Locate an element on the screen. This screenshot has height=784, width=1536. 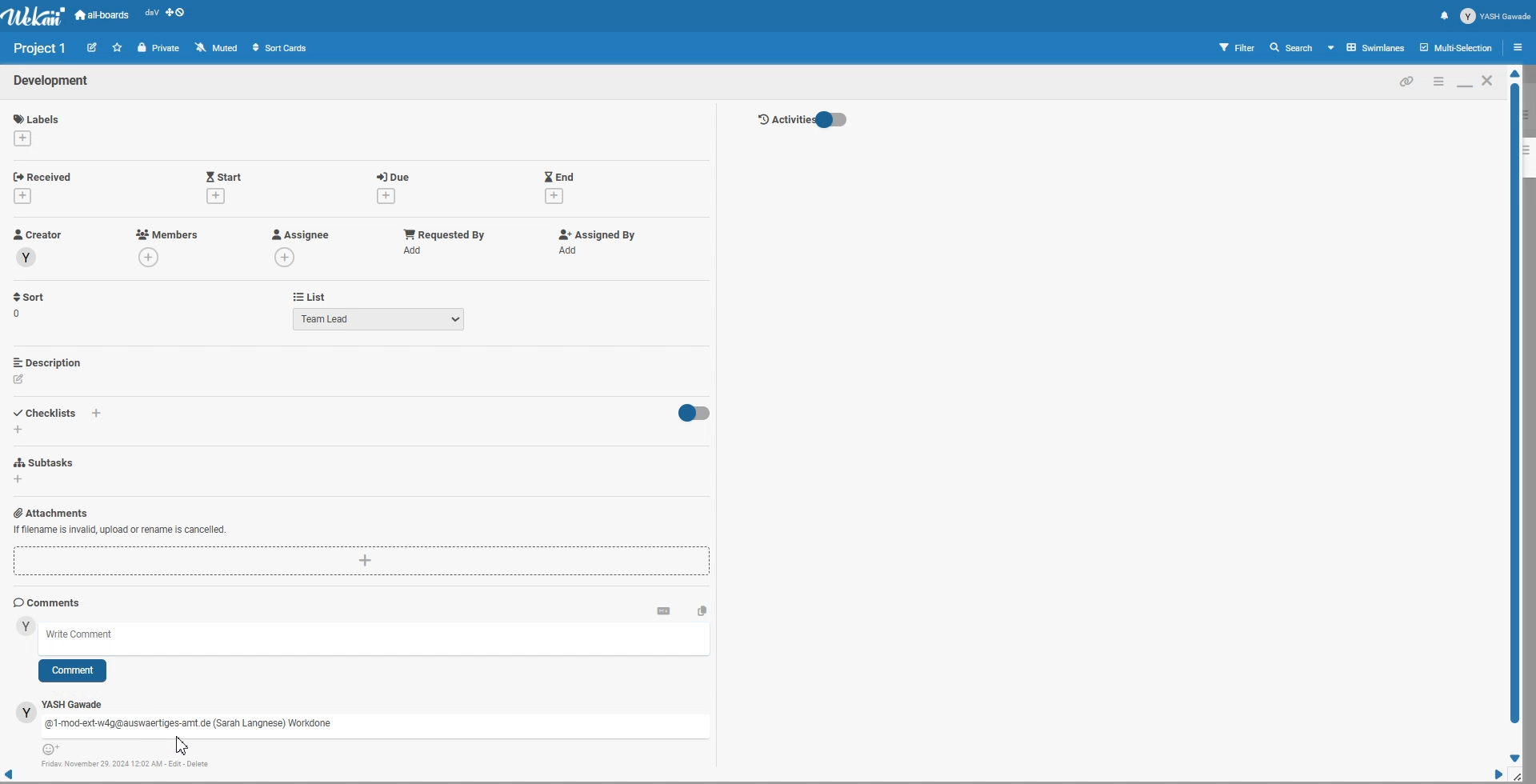
Comment is located at coordinates (72, 671).